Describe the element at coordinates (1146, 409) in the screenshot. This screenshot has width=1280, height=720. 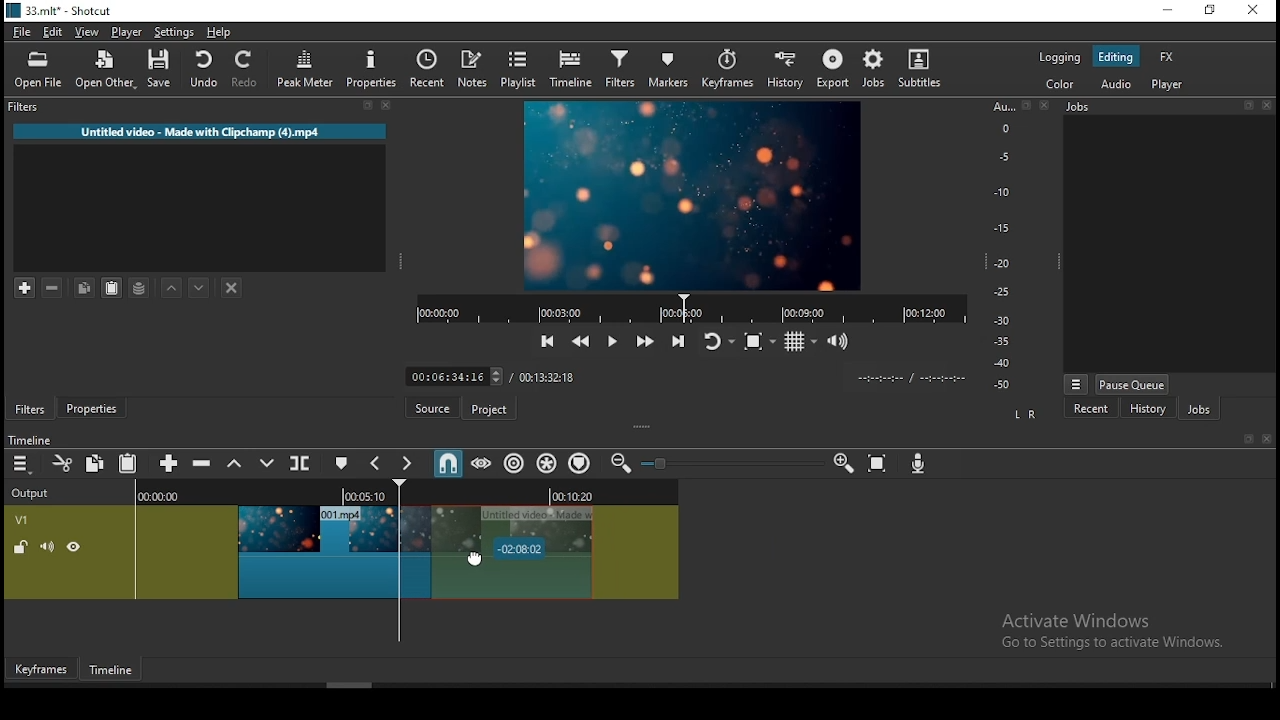
I see `history` at that location.